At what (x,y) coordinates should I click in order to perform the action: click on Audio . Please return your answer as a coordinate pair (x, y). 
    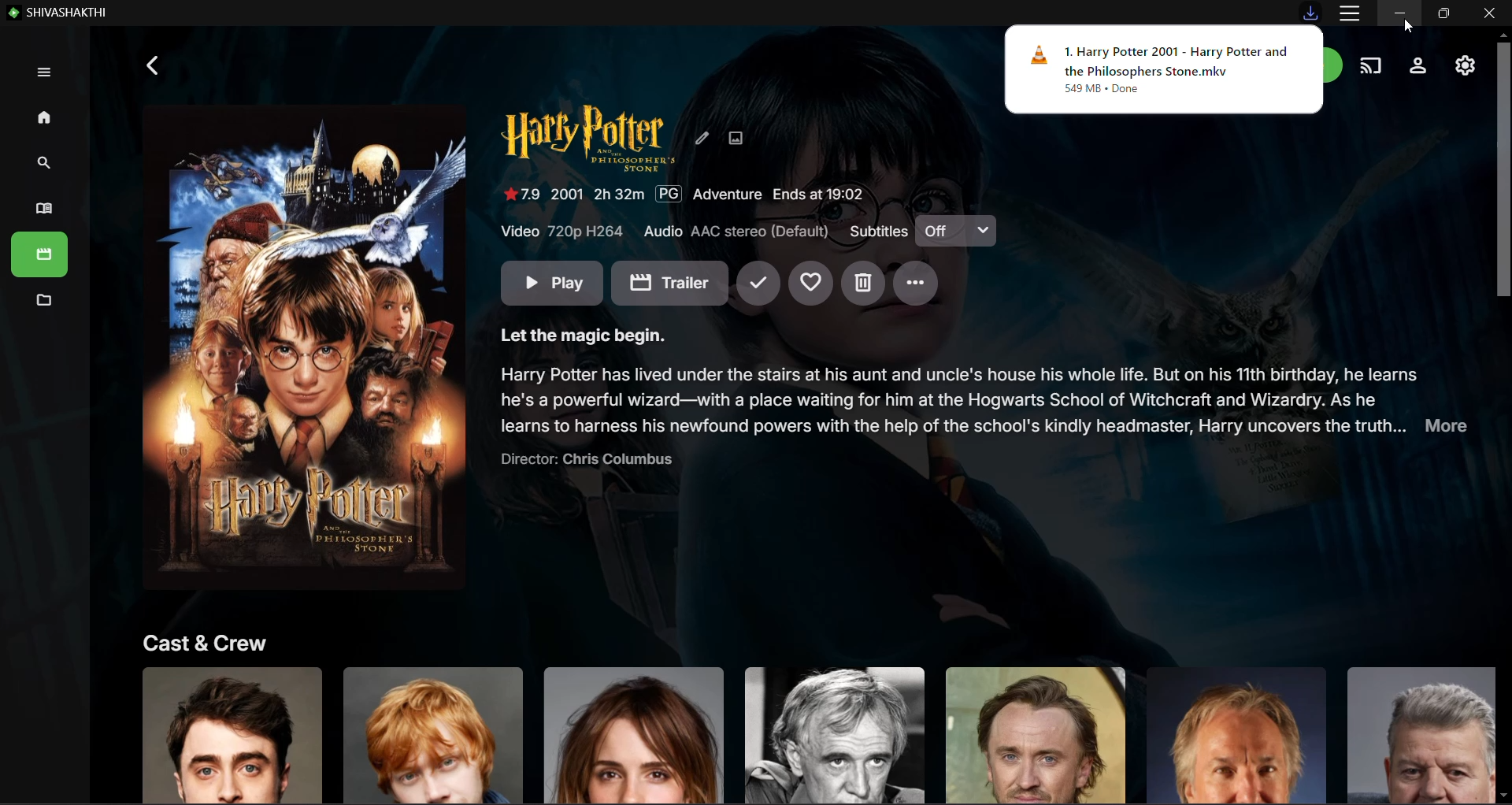
    Looking at the image, I should click on (739, 232).